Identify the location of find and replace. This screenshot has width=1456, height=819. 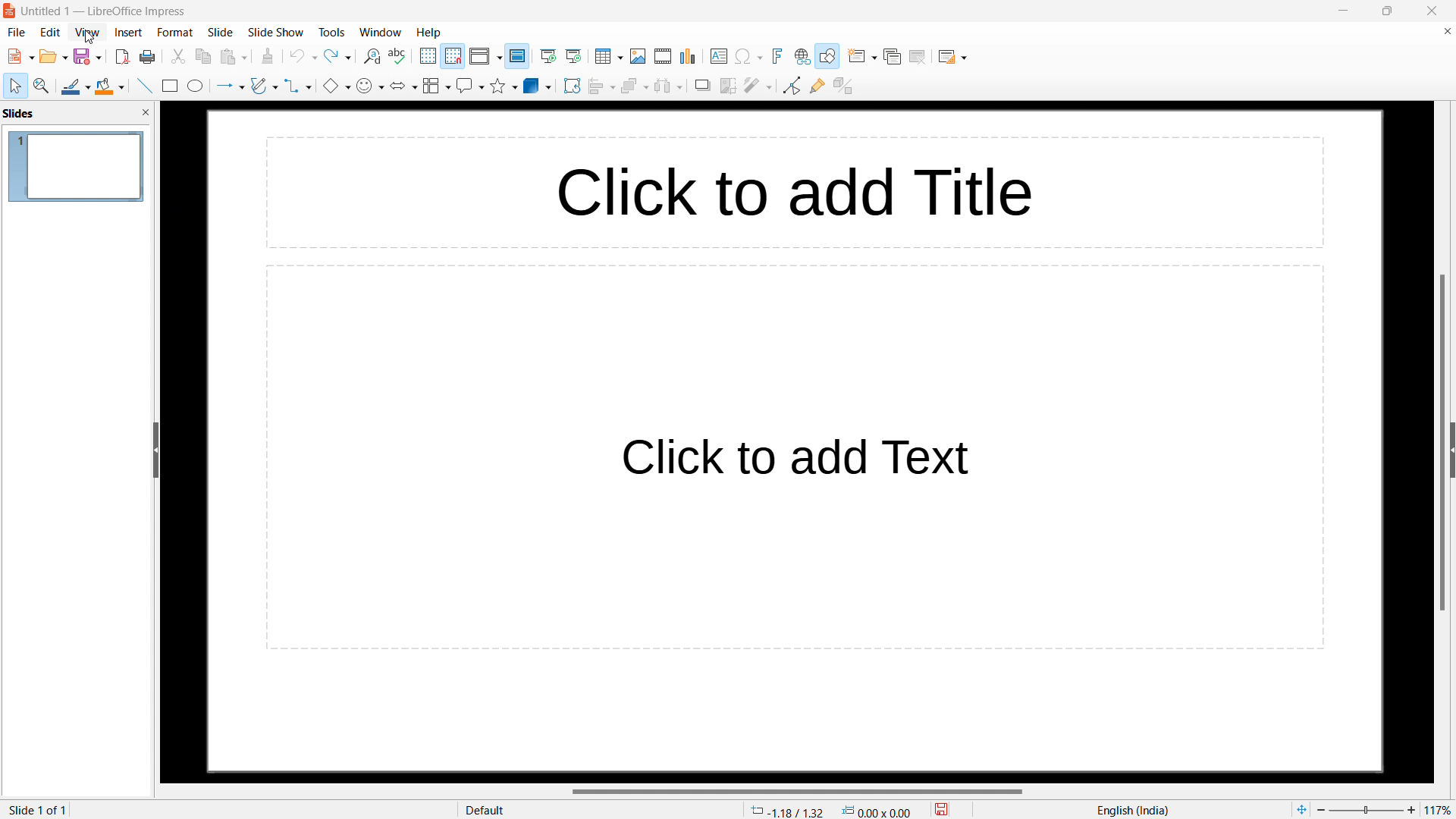
(372, 57).